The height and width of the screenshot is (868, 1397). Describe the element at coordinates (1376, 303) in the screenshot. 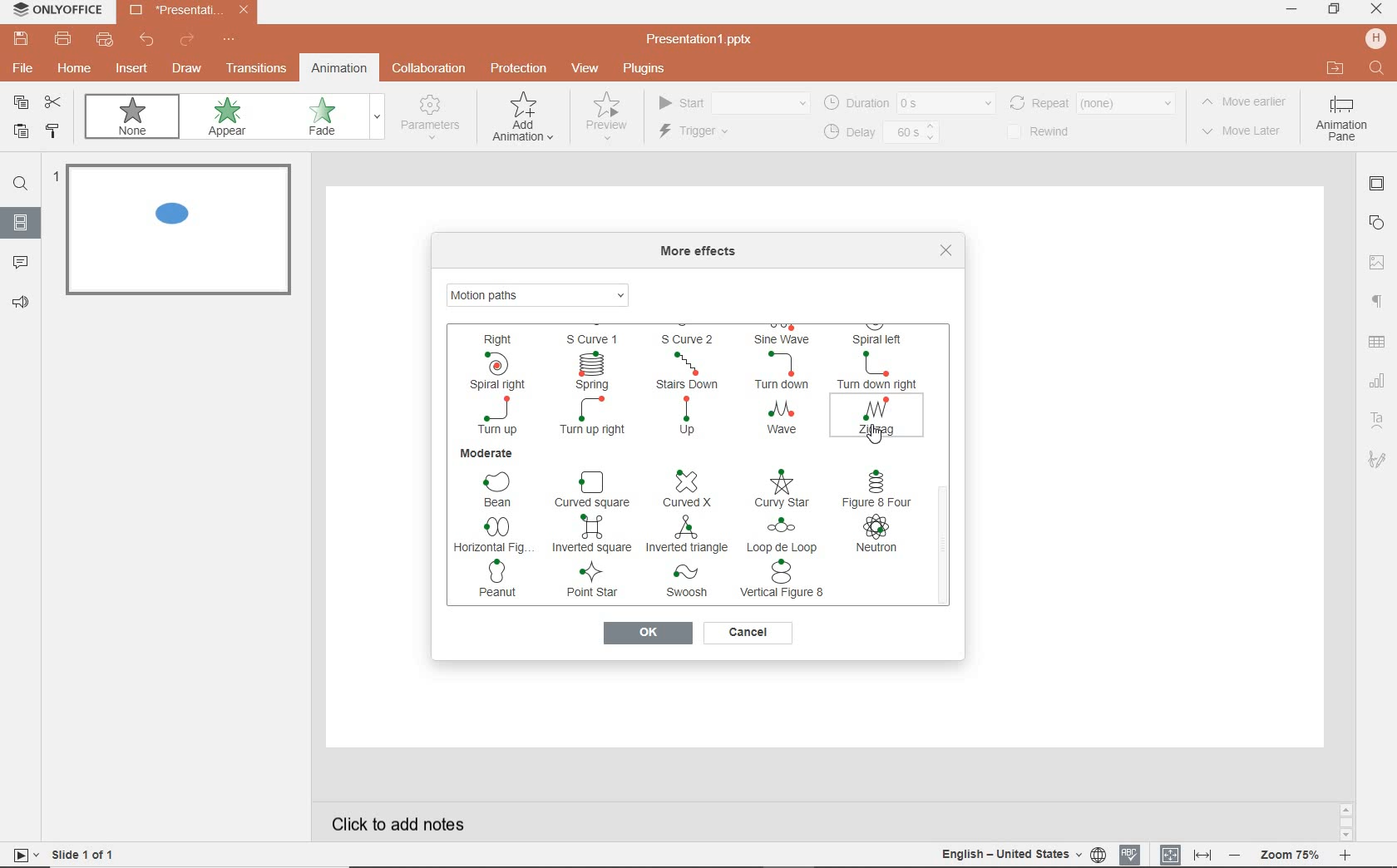

I see `paragraph settings` at that location.